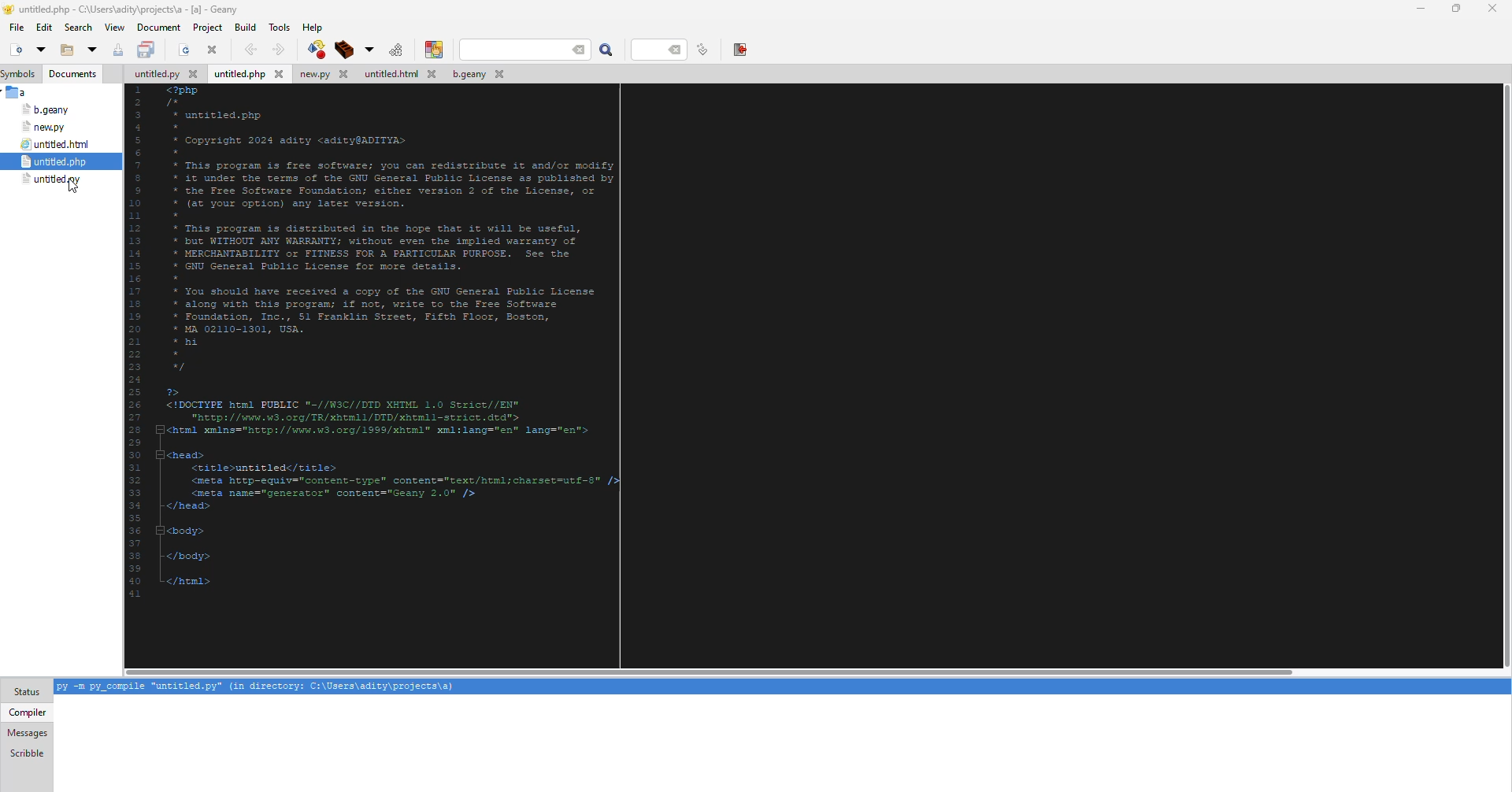  Describe the element at coordinates (1514, 376) in the screenshot. I see `scroll bar` at that location.